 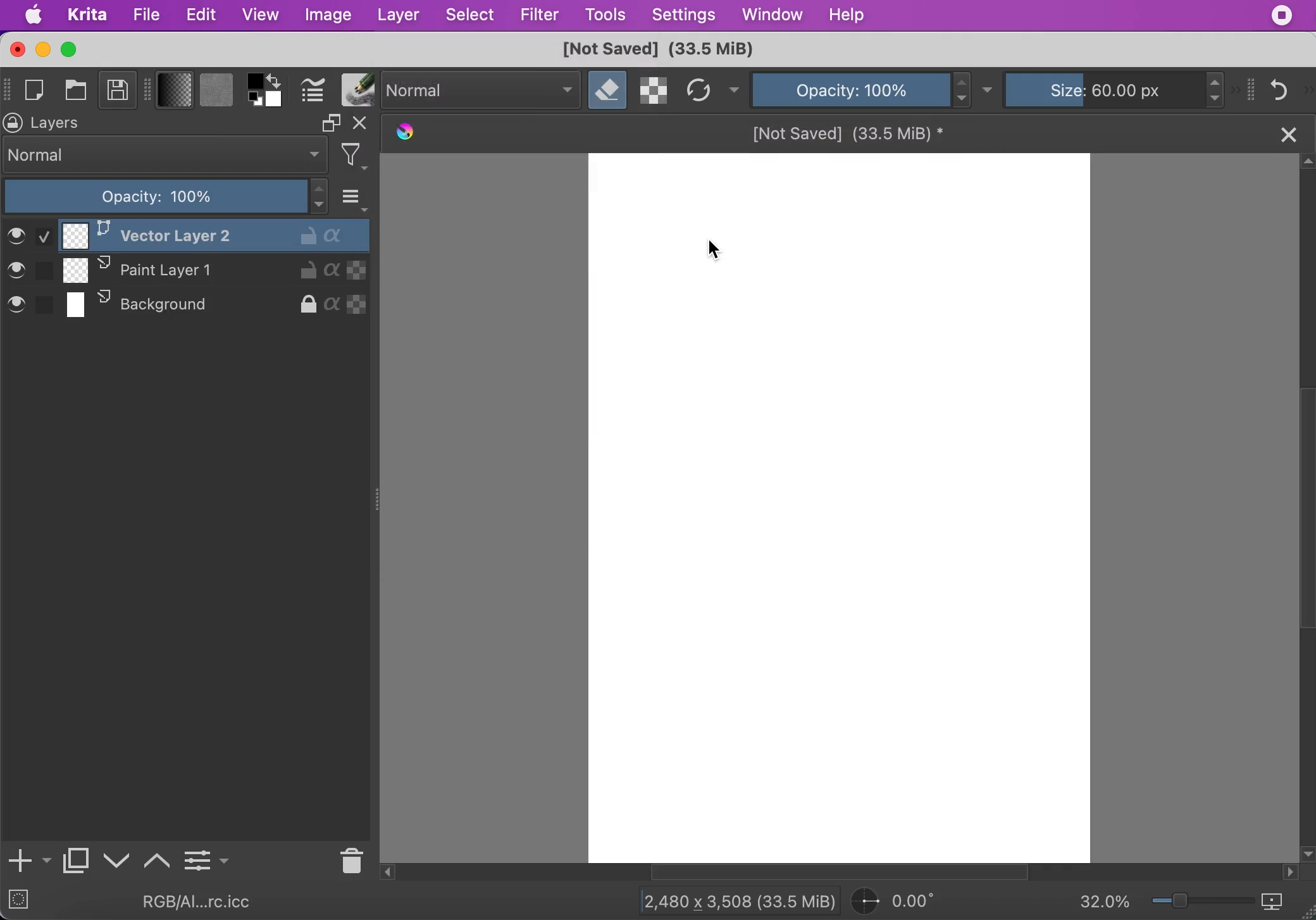 I want to click on select, so click(x=471, y=16).